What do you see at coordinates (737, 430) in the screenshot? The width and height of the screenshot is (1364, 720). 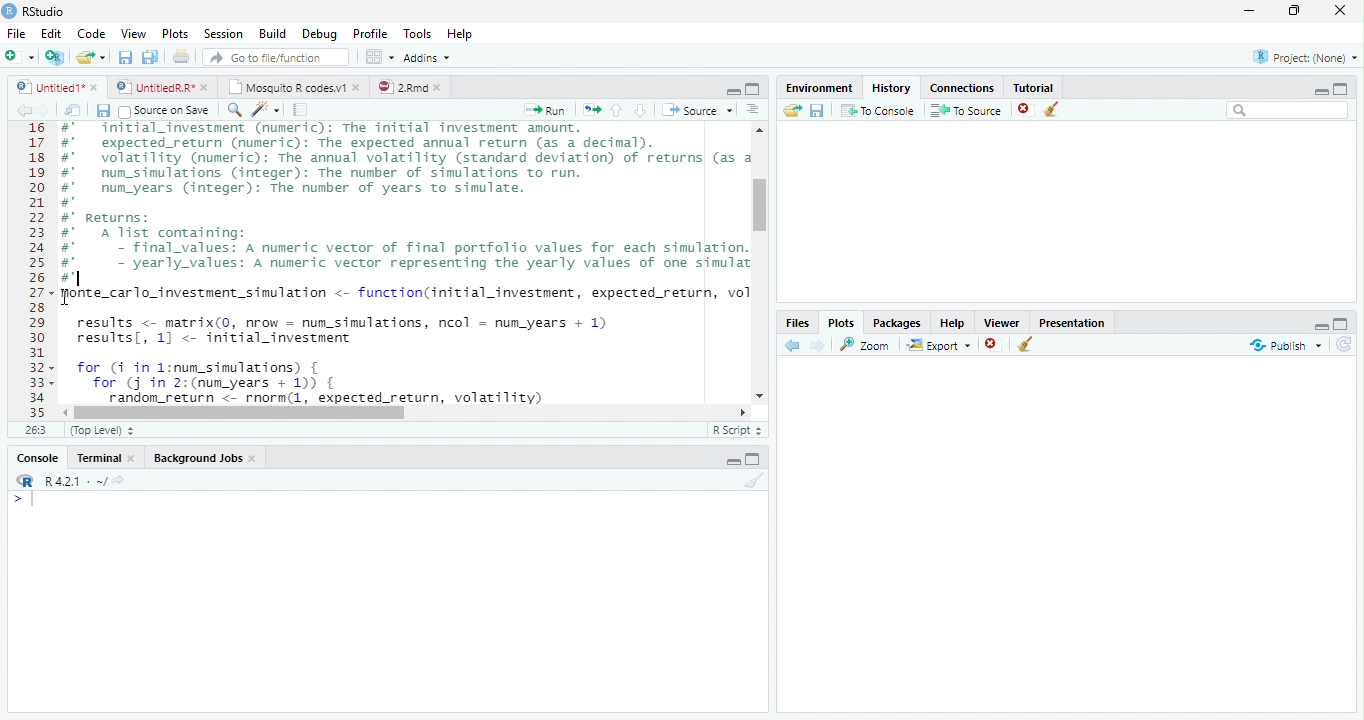 I see `R Script` at bounding box center [737, 430].